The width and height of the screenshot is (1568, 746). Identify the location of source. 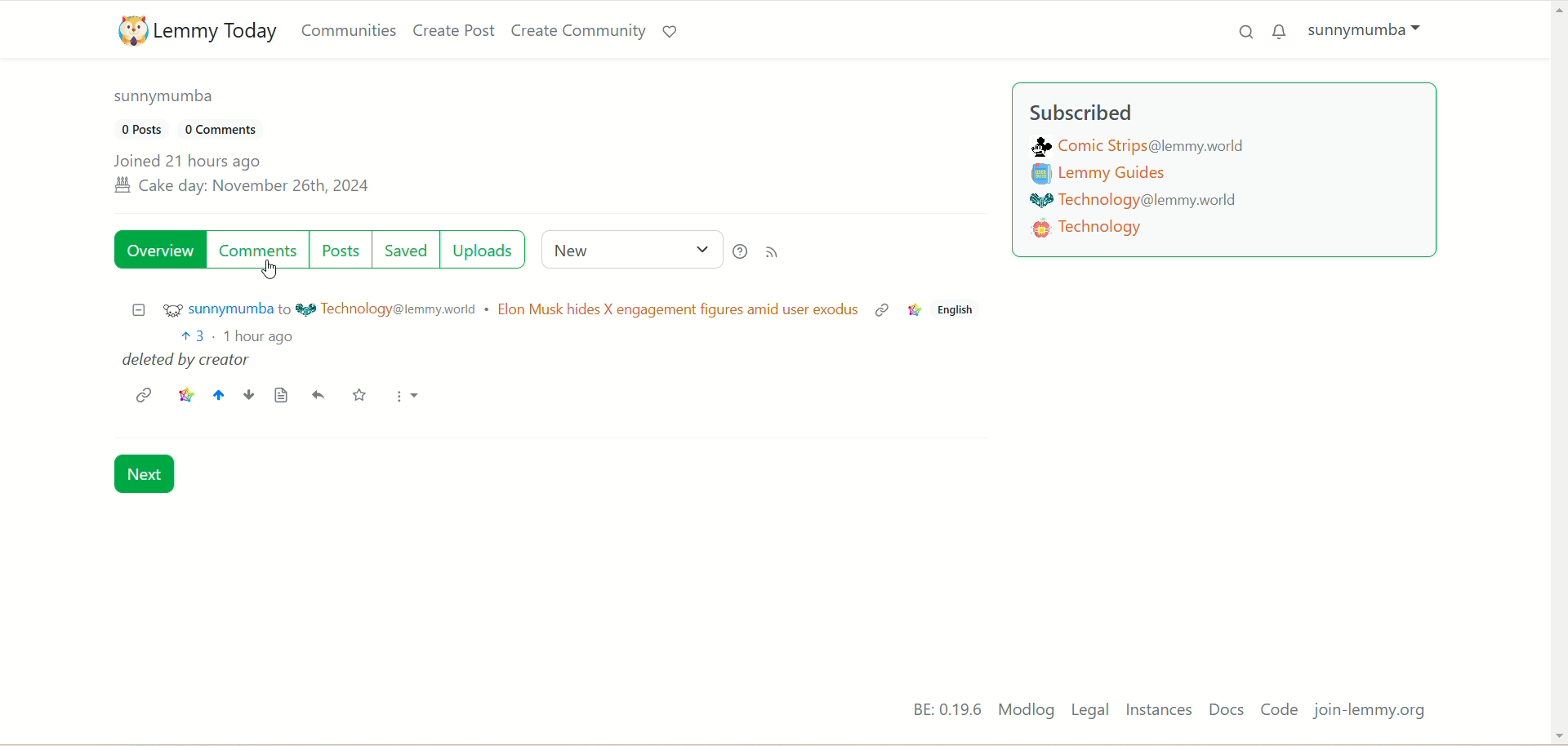
(281, 397).